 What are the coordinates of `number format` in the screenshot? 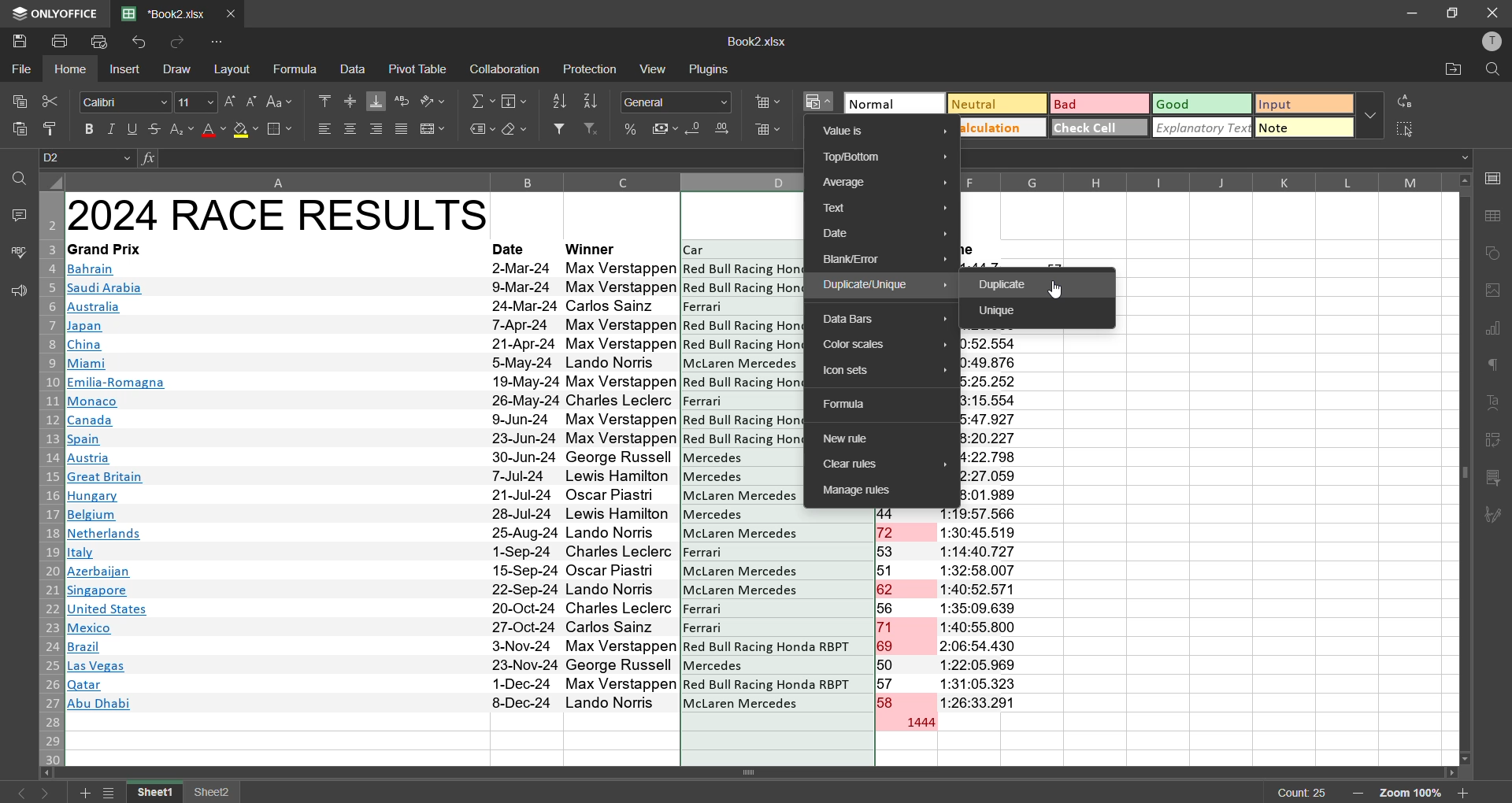 It's located at (681, 102).